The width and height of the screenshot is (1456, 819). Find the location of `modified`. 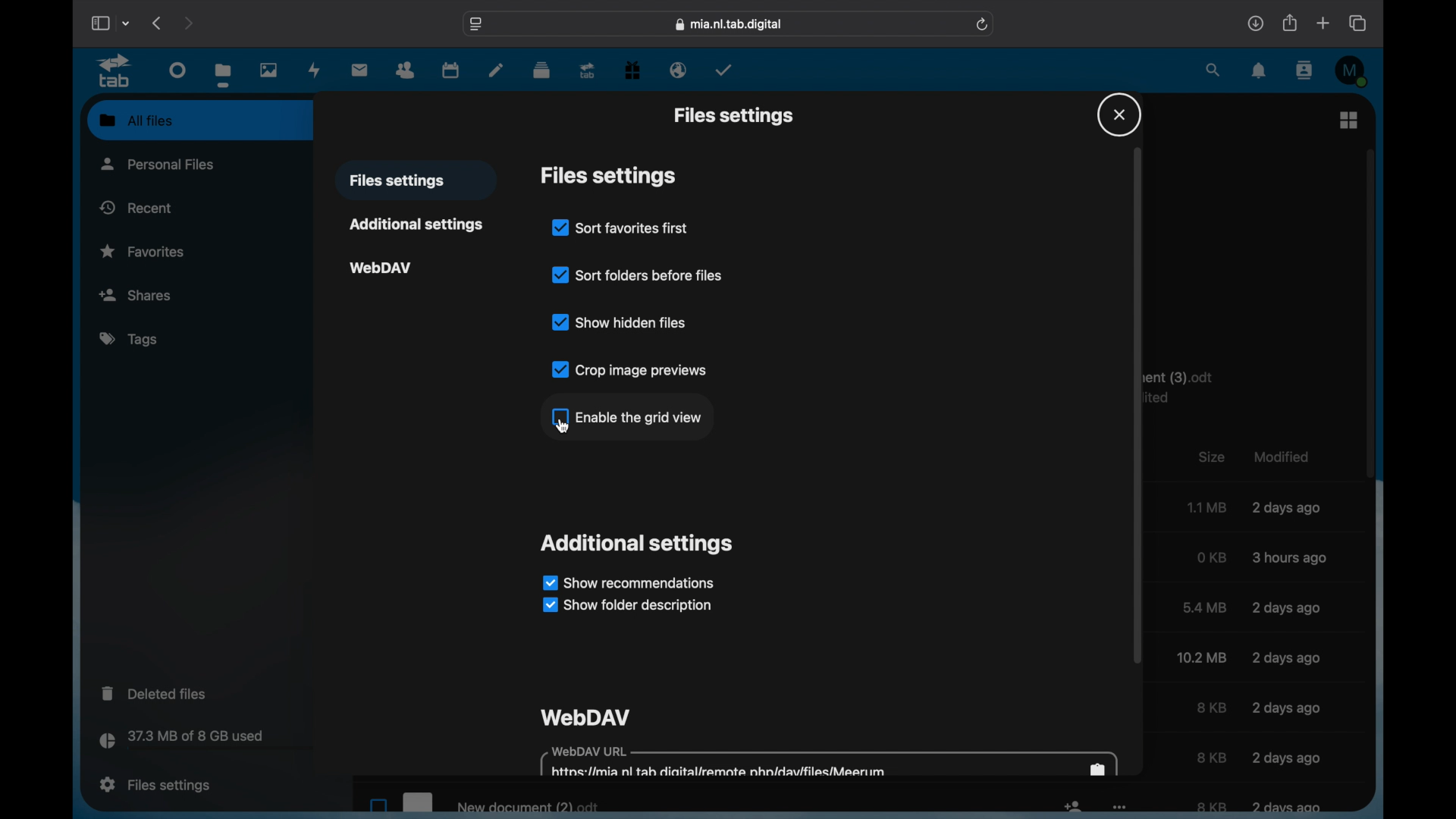

modified is located at coordinates (1287, 708).